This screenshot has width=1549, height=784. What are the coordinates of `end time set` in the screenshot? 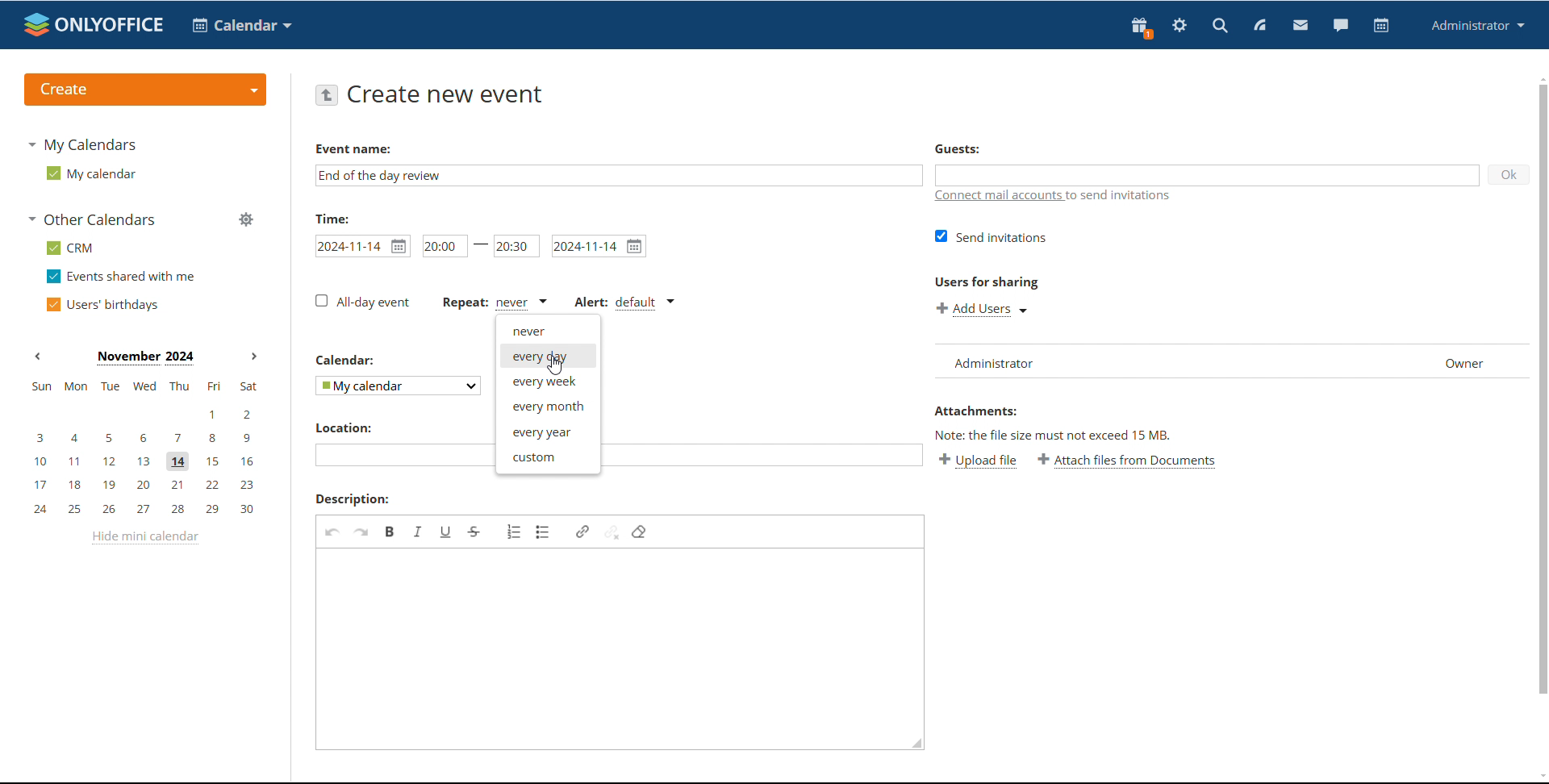 It's located at (517, 245).